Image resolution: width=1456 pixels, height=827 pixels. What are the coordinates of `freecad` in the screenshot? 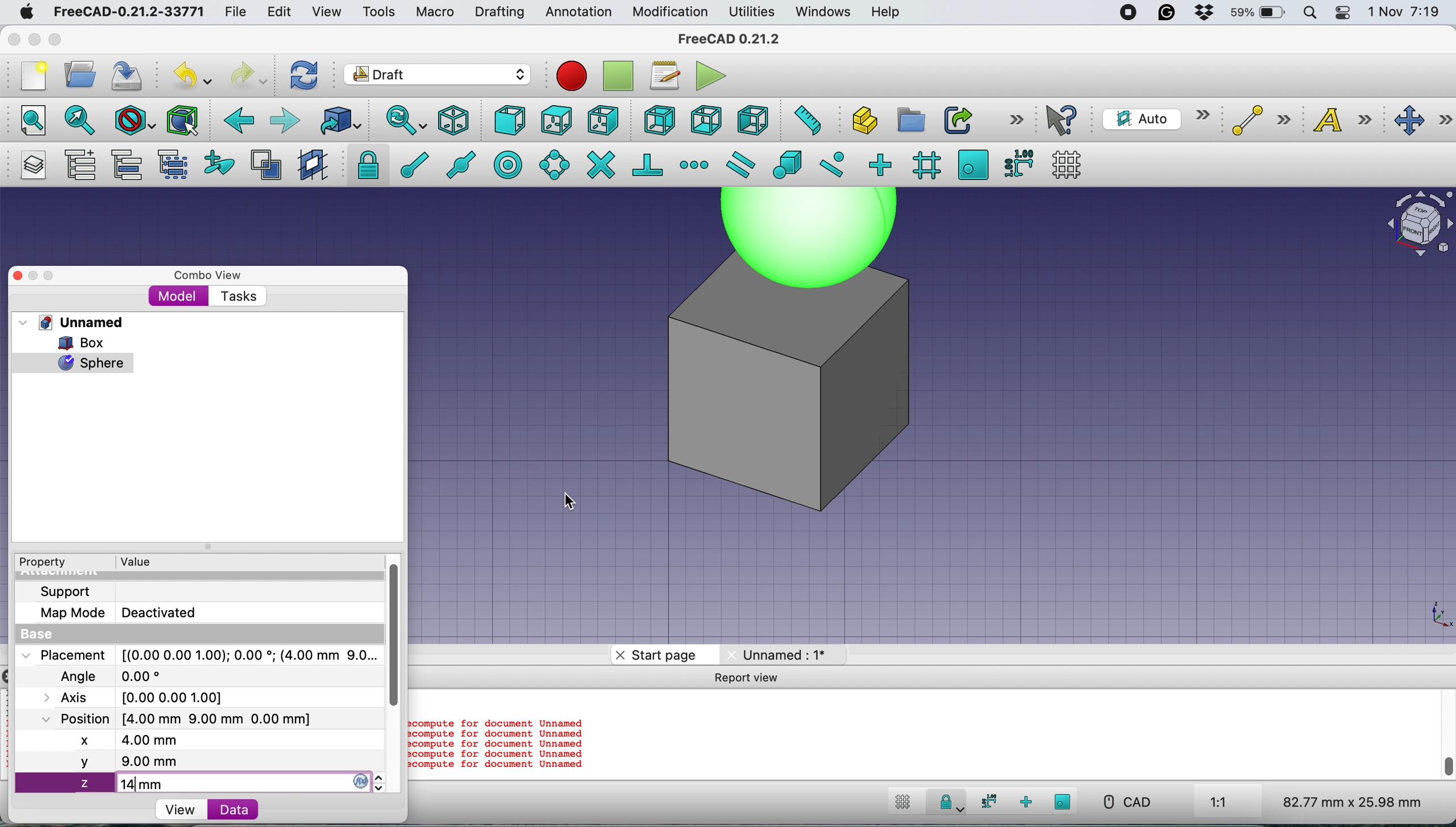 It's located at (128, 12).